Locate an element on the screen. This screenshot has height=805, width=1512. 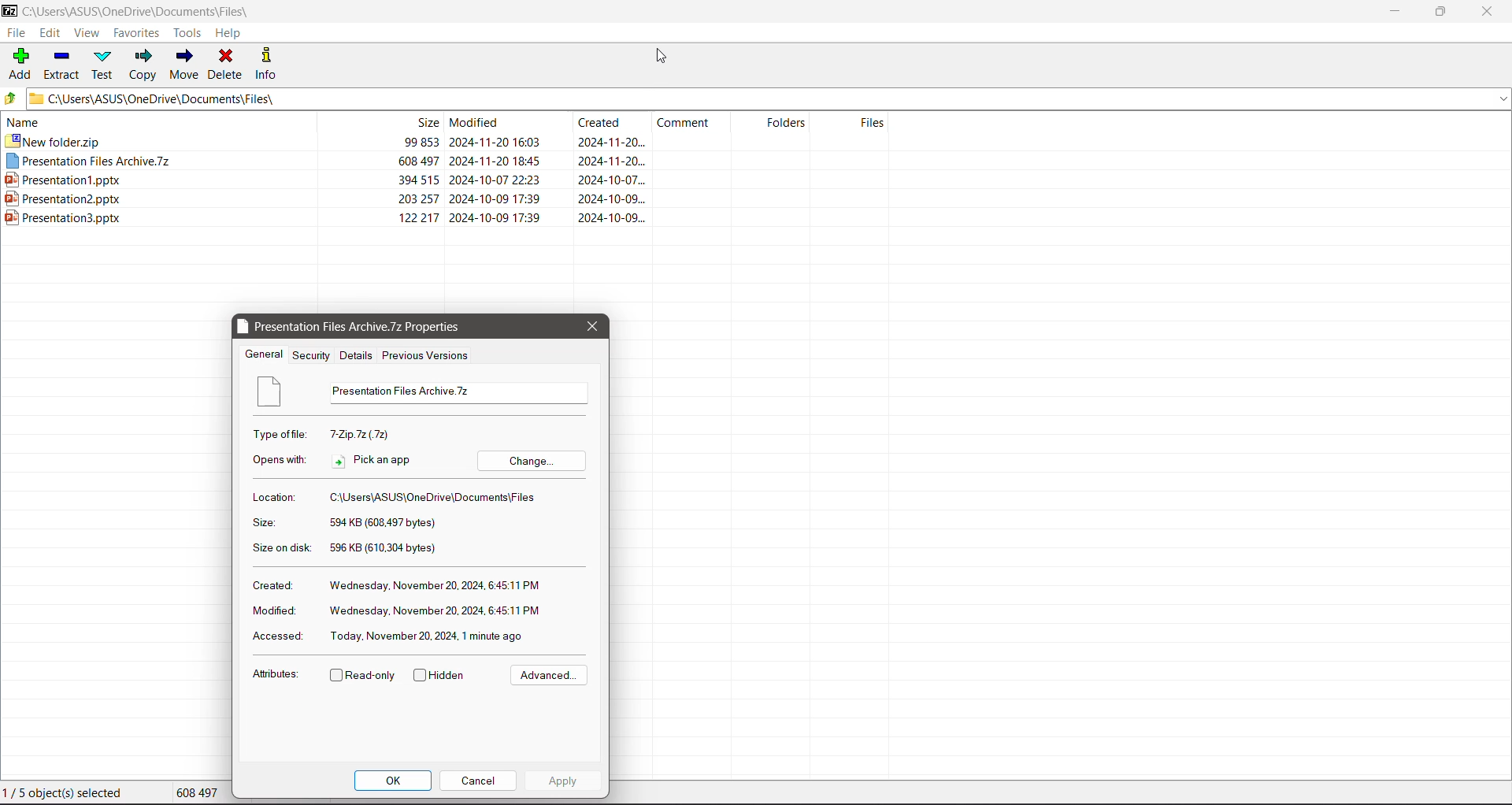
Application Logo is located at coordinates (11, 9).